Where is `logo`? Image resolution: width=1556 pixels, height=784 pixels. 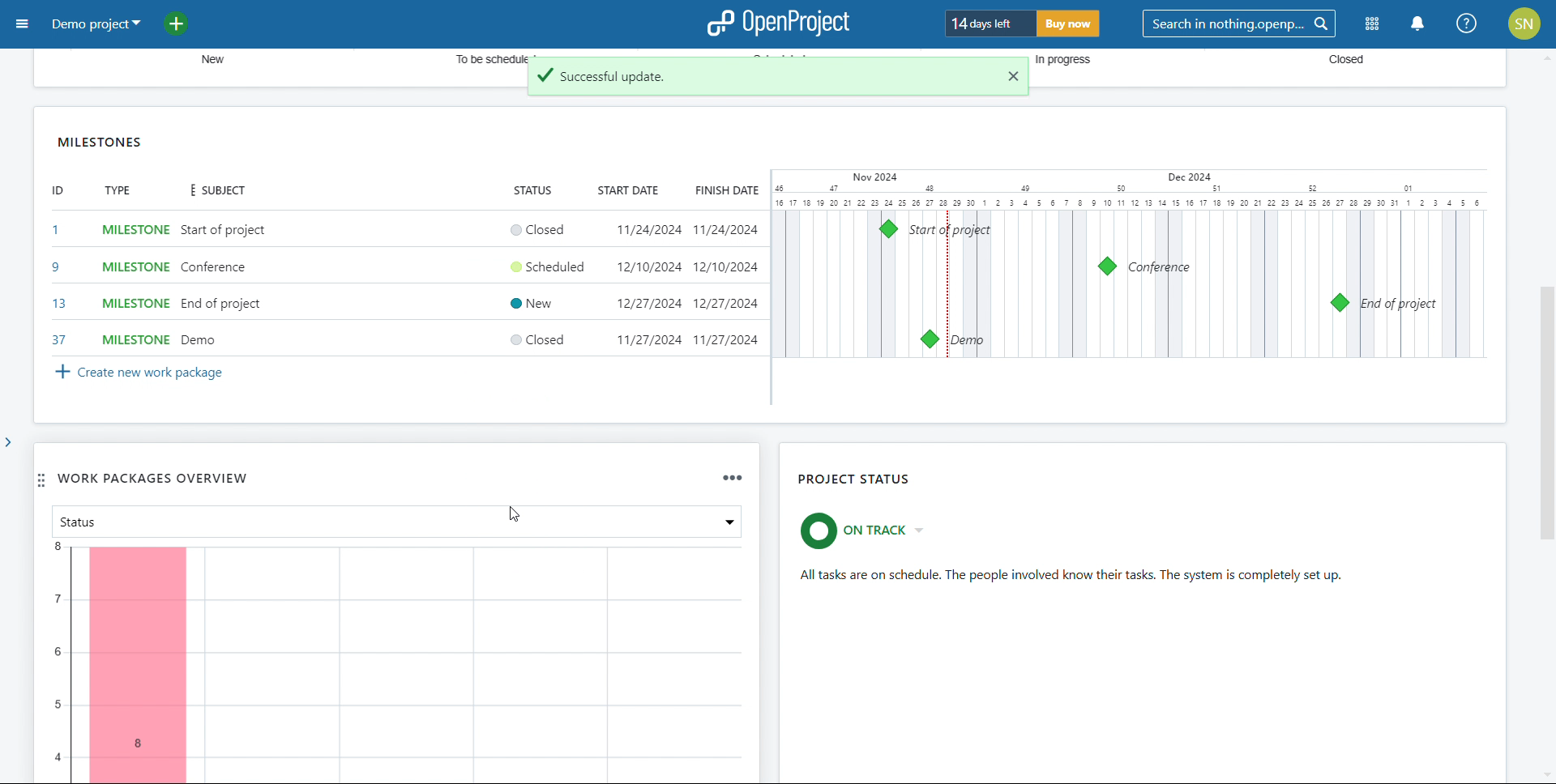
logo is located at coordinates (777, 23).